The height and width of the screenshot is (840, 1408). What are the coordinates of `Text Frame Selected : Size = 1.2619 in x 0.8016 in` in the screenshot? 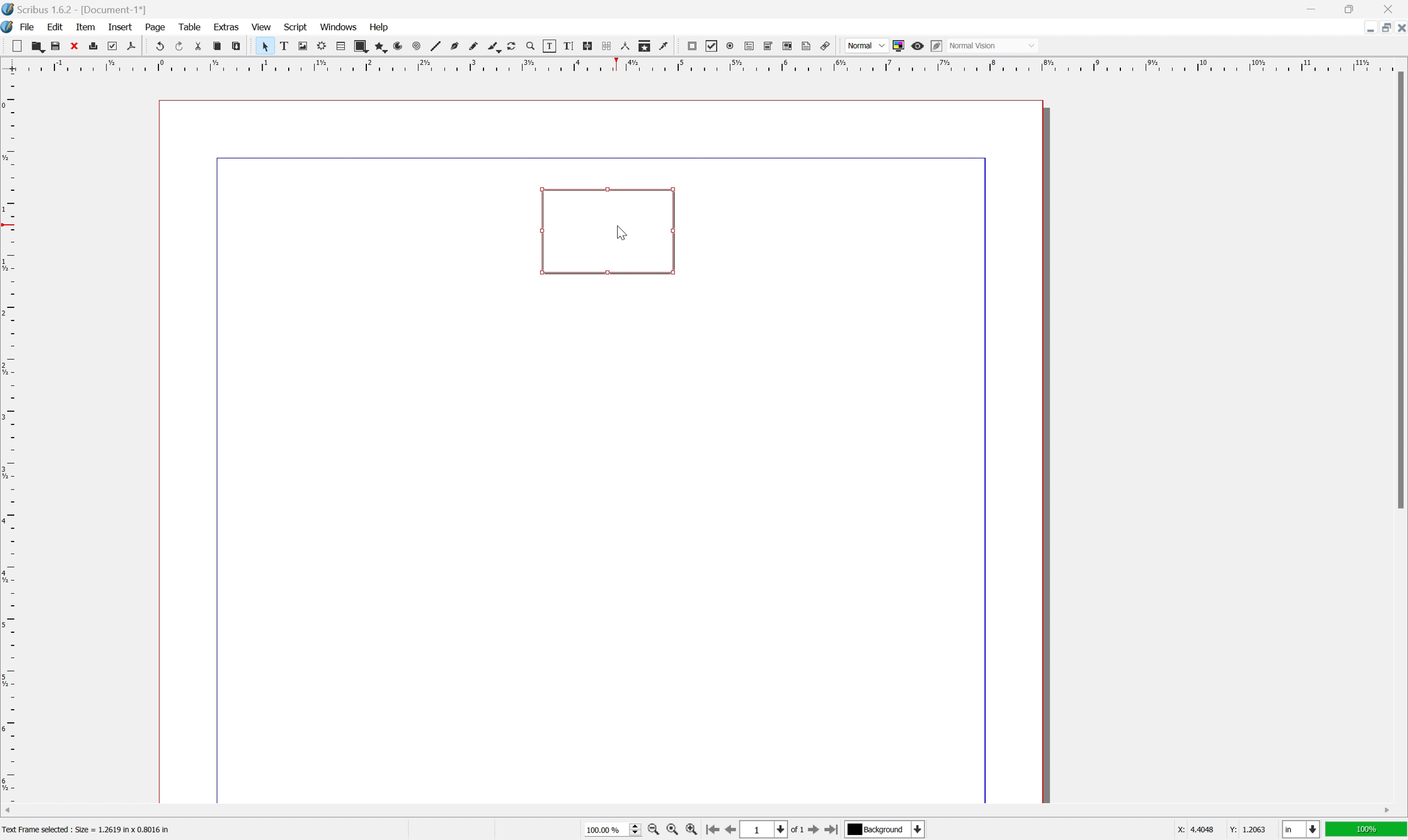 It's located at (102, 828).